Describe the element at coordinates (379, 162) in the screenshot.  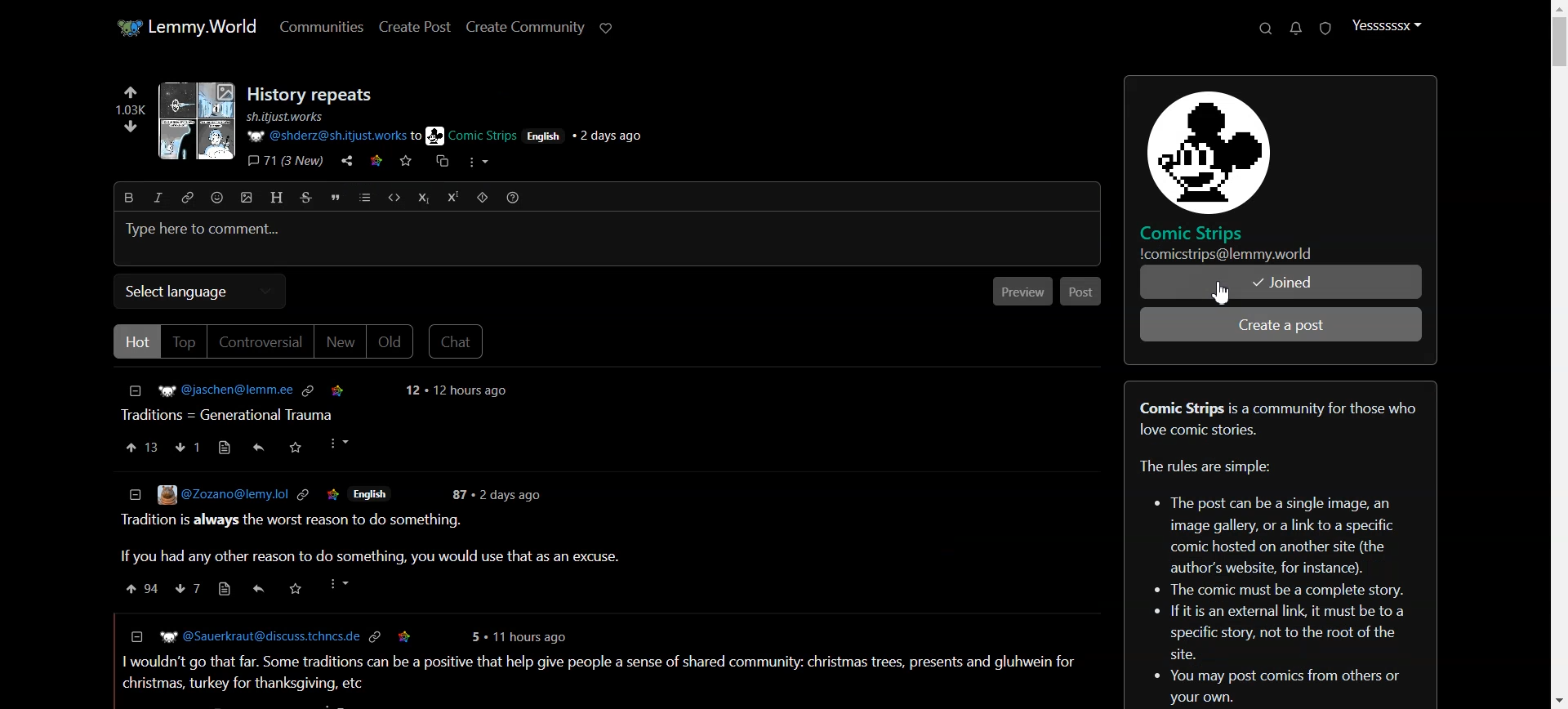
I see `Link` at that location.